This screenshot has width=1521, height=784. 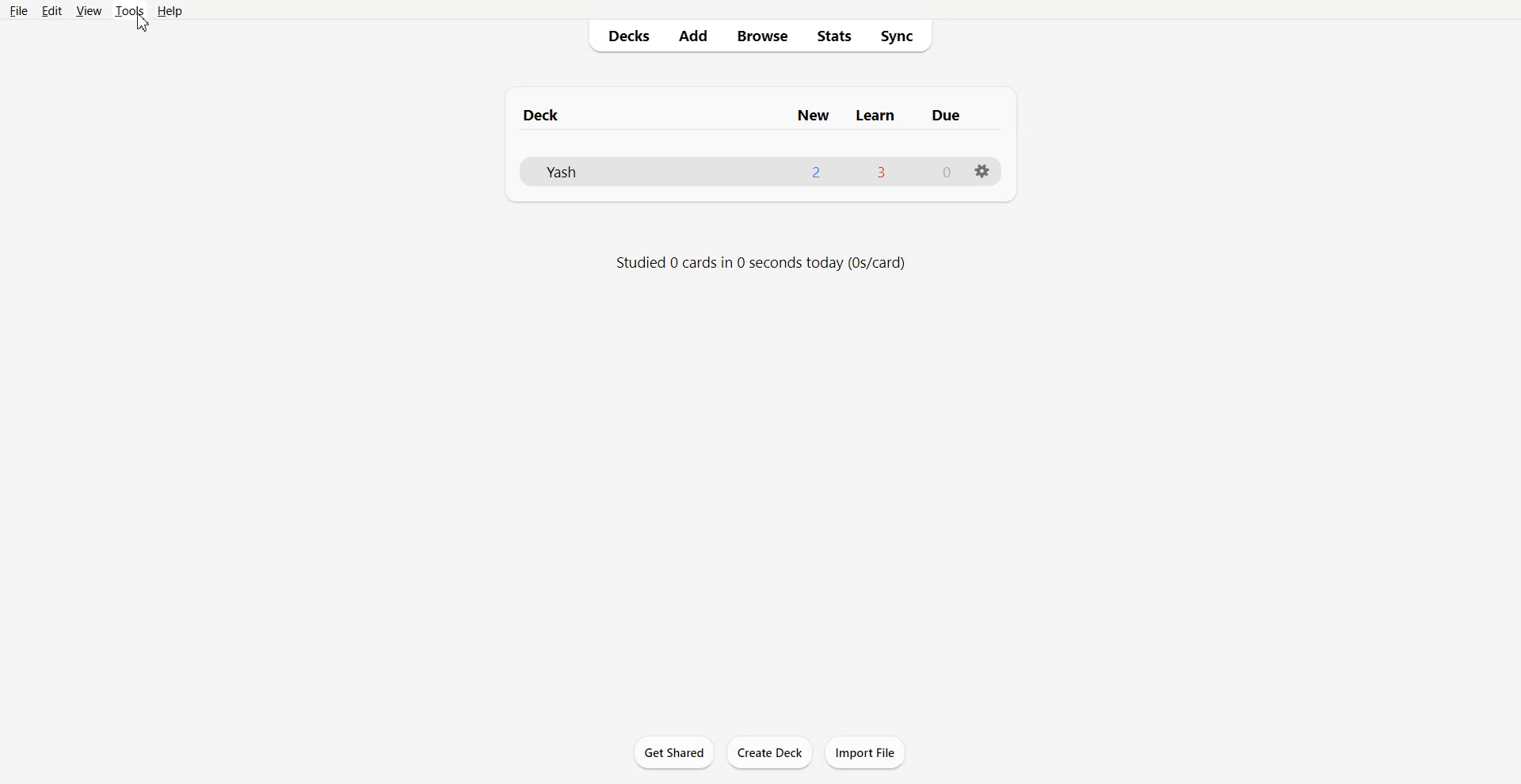 What do you see at coordinates (947, 173) in the screenshot?
I see `0` at bounding box center [947, 173].